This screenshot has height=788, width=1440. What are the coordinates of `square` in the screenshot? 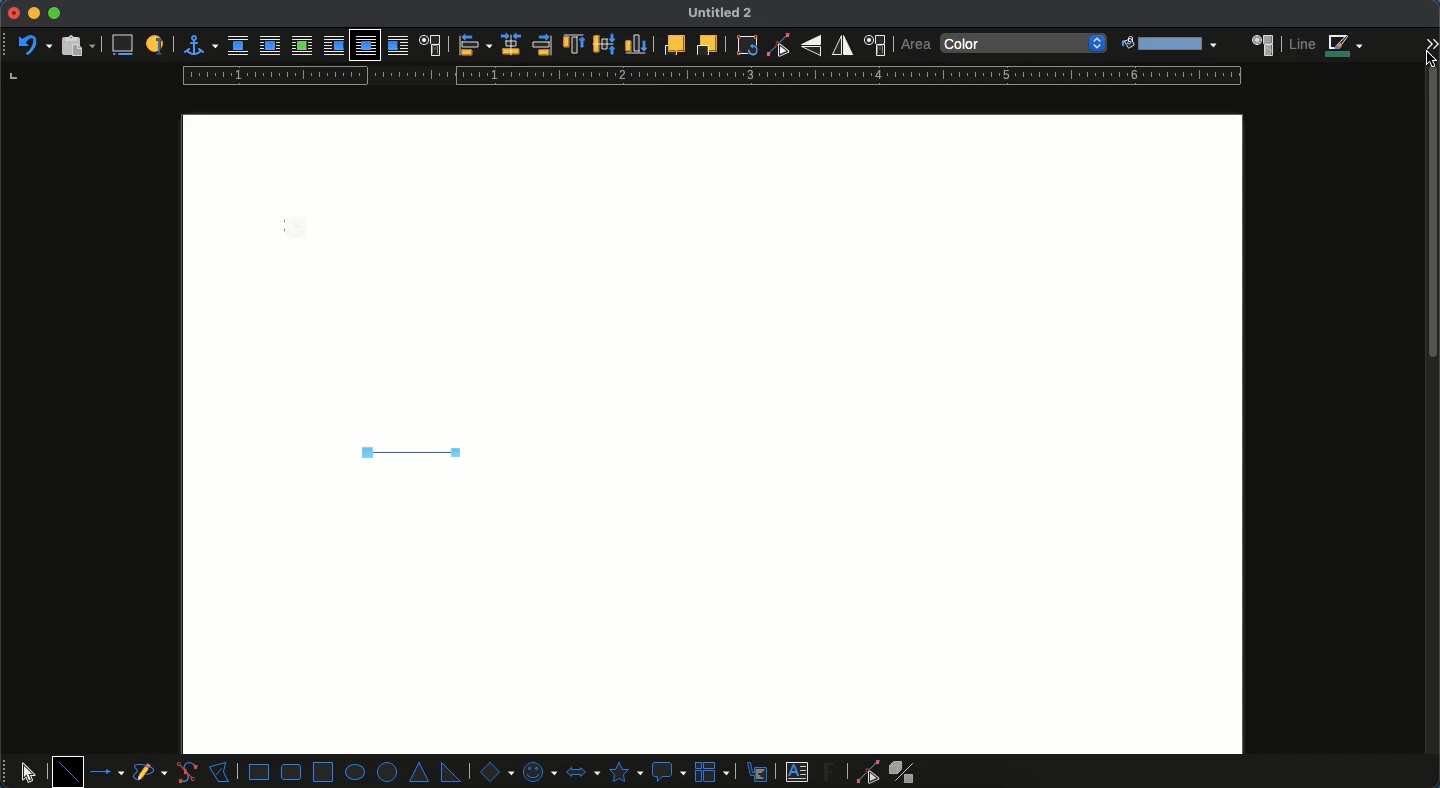 It's located at (323, 770).